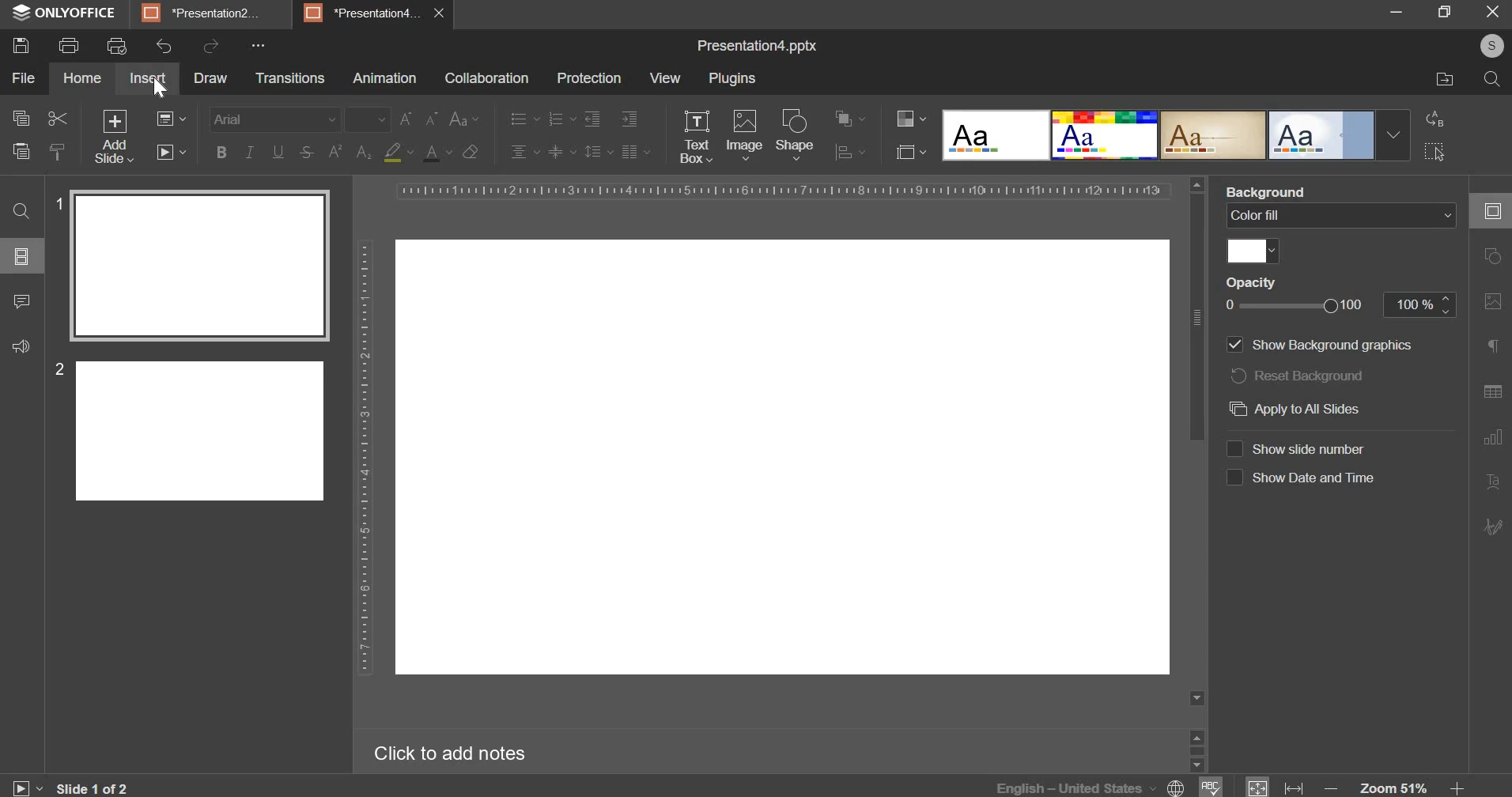 Image resolution: width=1512 pixels, height=797 pixels. Describe the element at coordinates (1343, 214) in the screenshot. I see `background fill` at that location.